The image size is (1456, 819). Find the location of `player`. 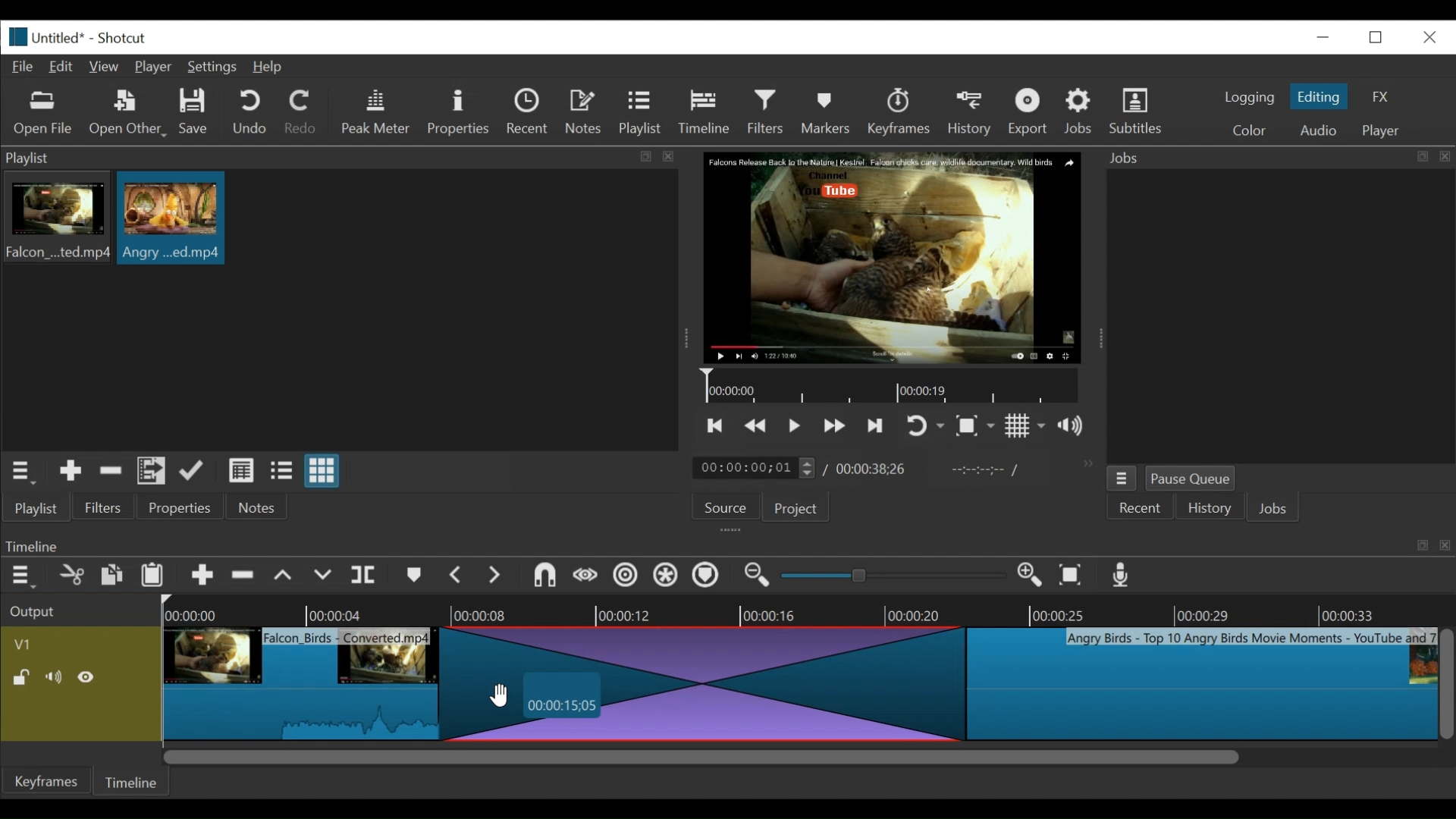

player is located at coordinates (1382, 131).